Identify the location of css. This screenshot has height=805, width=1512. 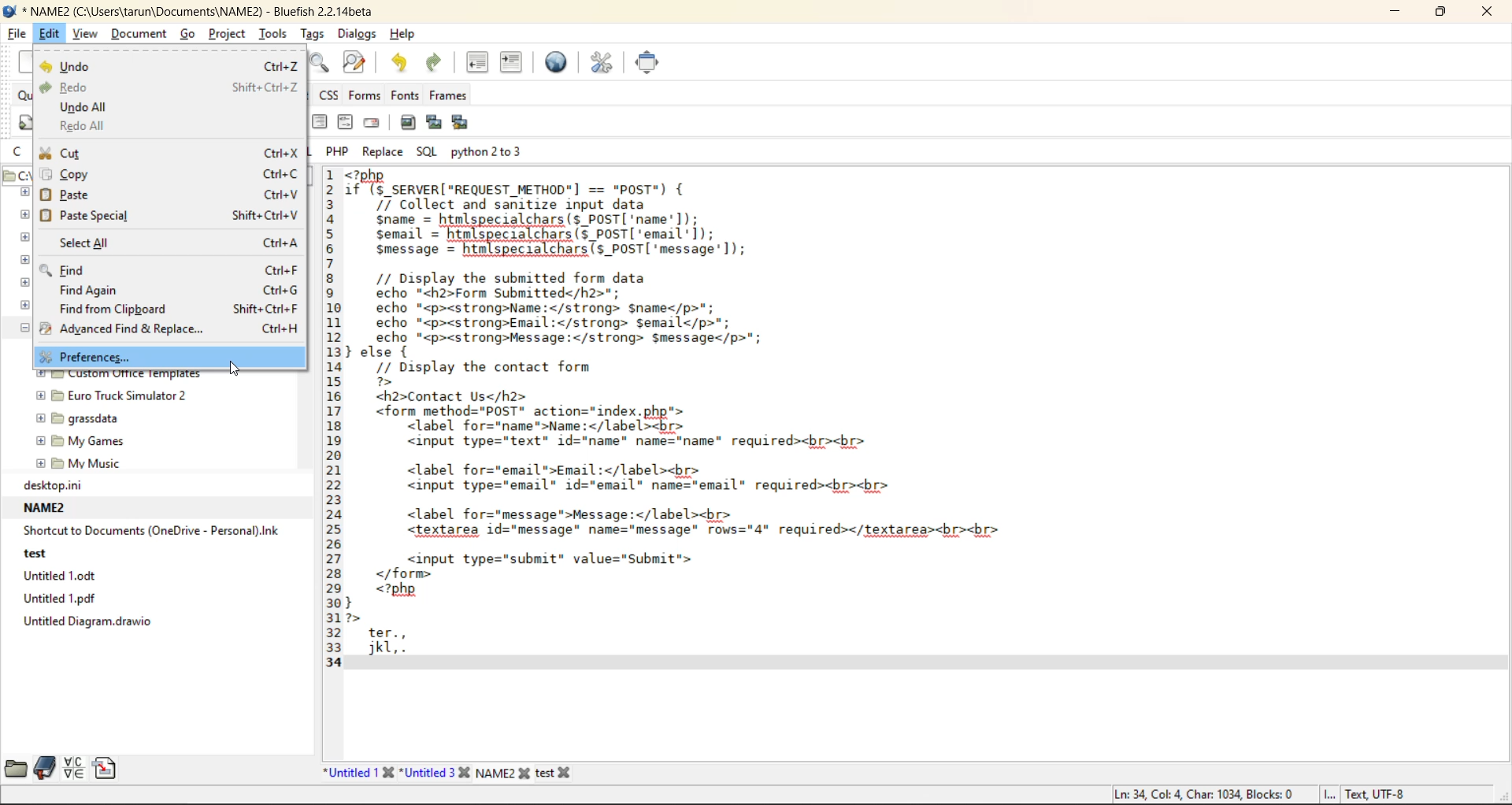
(326, 94).